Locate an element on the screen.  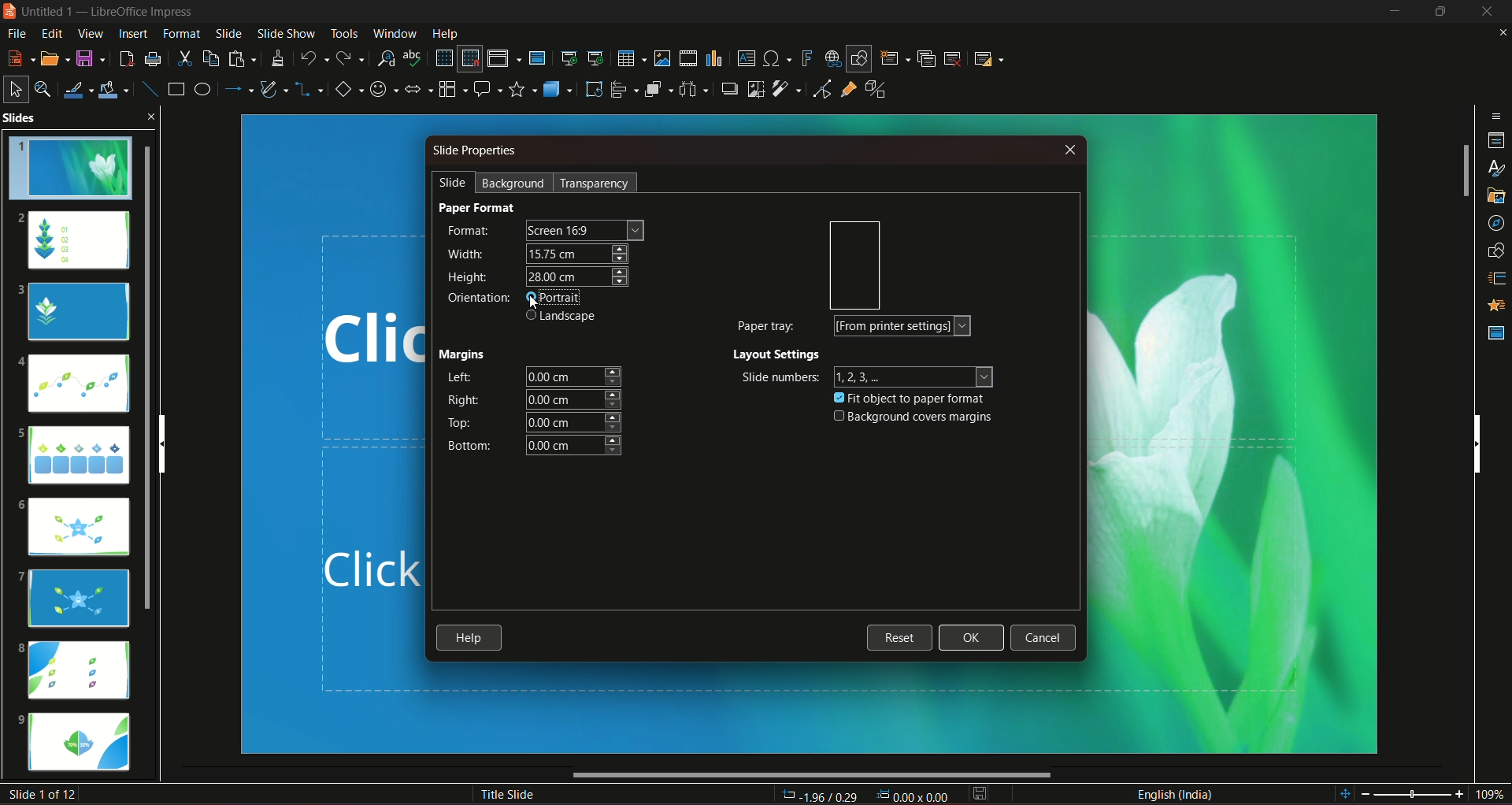
close is located at coordinates (1487, 12).